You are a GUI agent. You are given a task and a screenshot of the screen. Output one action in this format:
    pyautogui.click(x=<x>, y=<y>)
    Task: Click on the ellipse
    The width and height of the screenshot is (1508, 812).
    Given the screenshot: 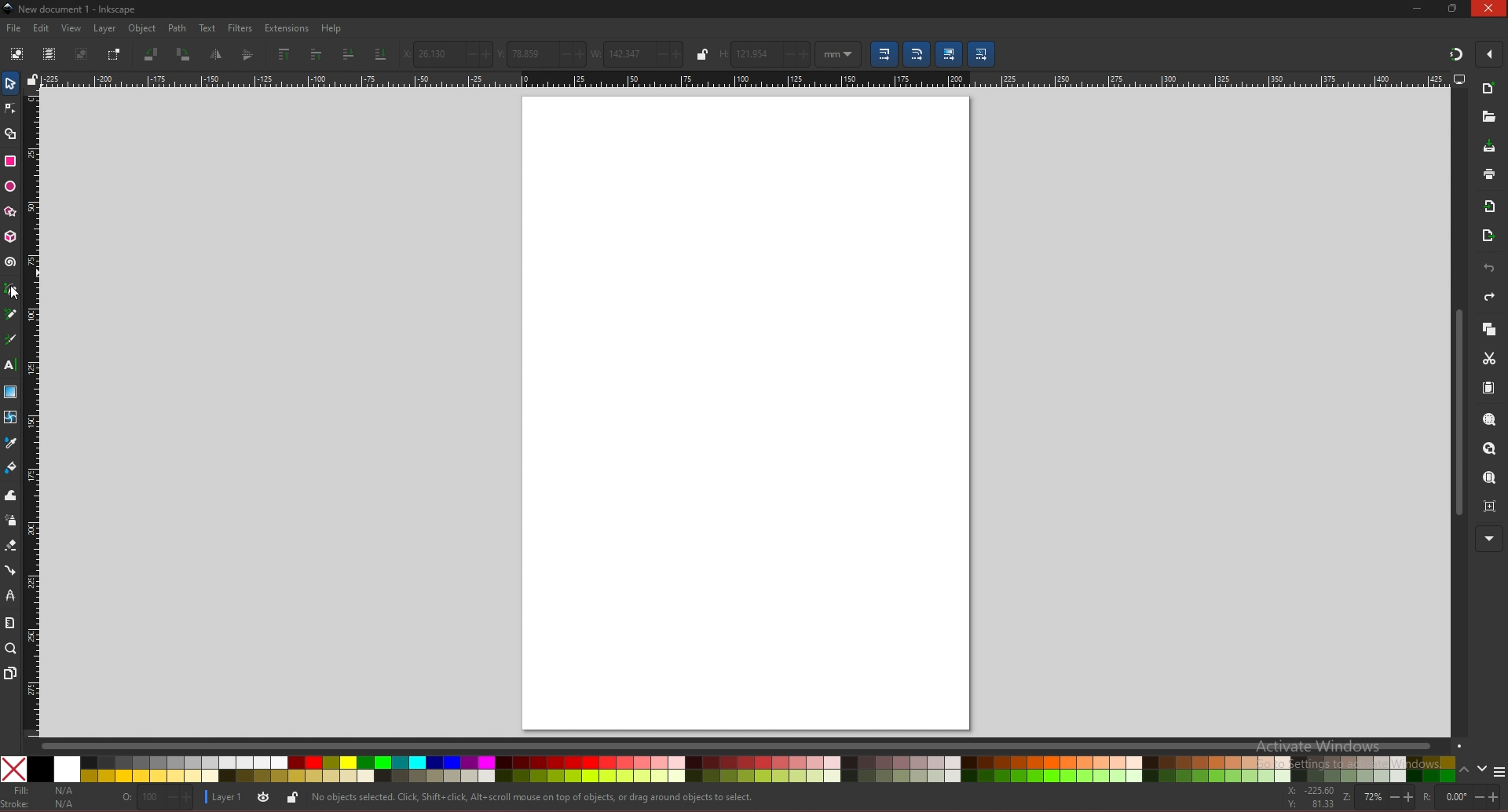 What is the action you would take?
    pyautogui.click(x=10, y=187)
    